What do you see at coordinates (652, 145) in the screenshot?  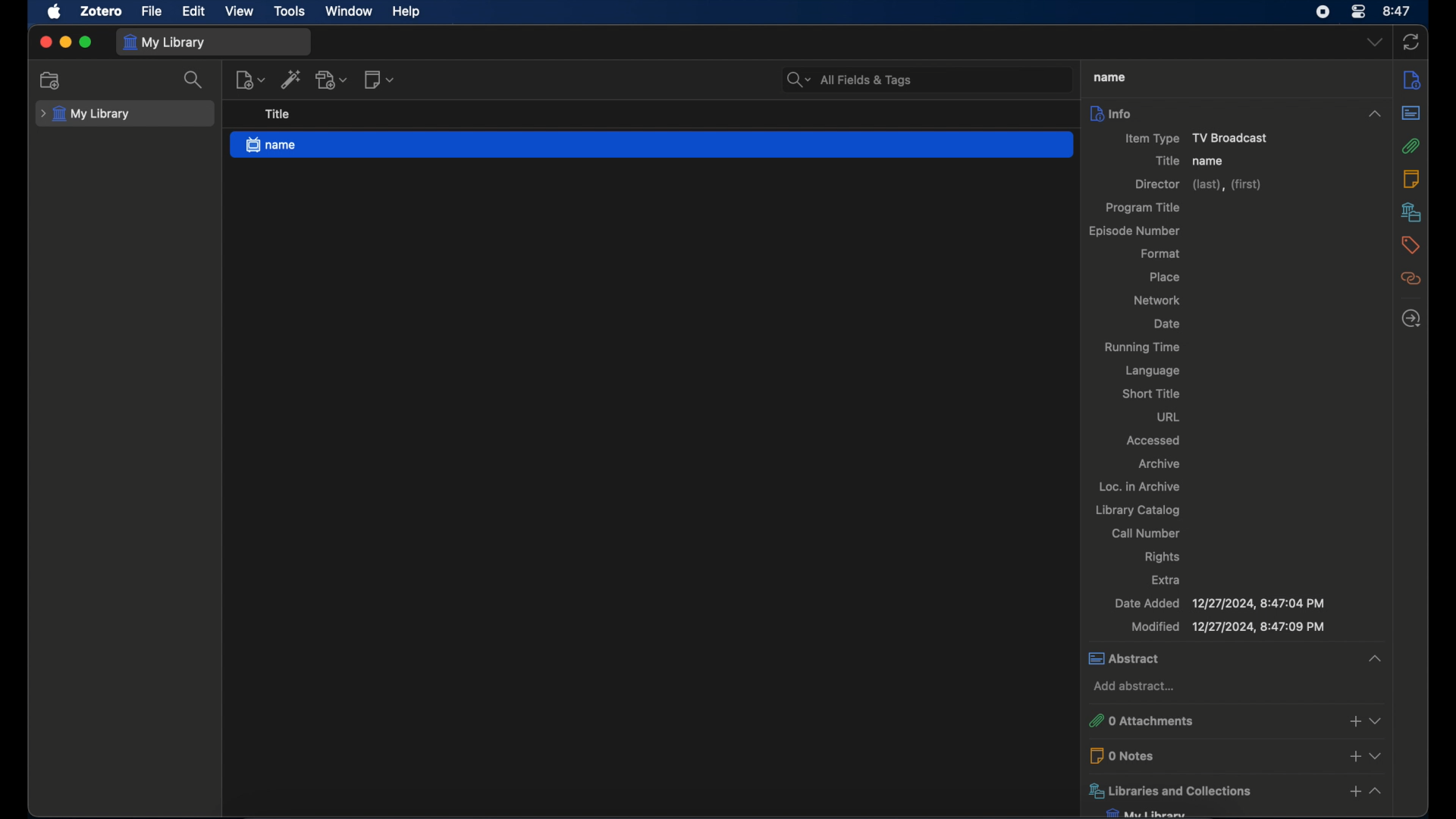 I see `name` at bounding box center [652, 145].